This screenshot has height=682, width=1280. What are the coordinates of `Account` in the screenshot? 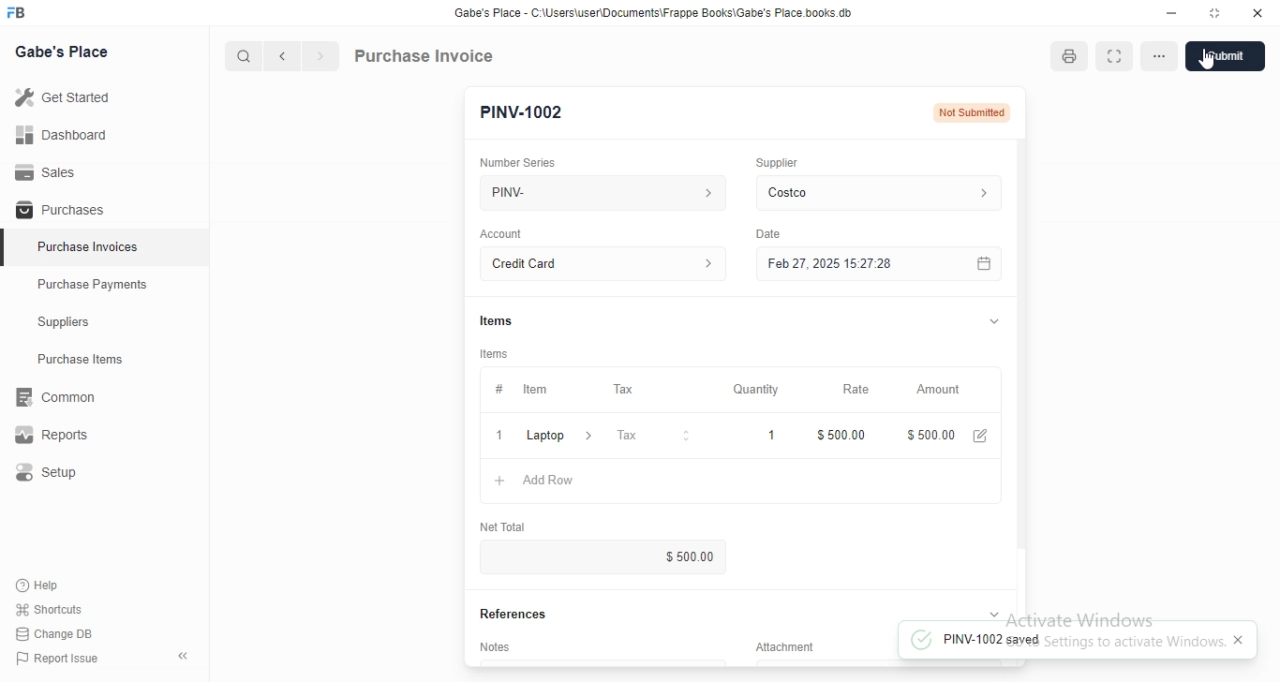 It's located at (501, 234).